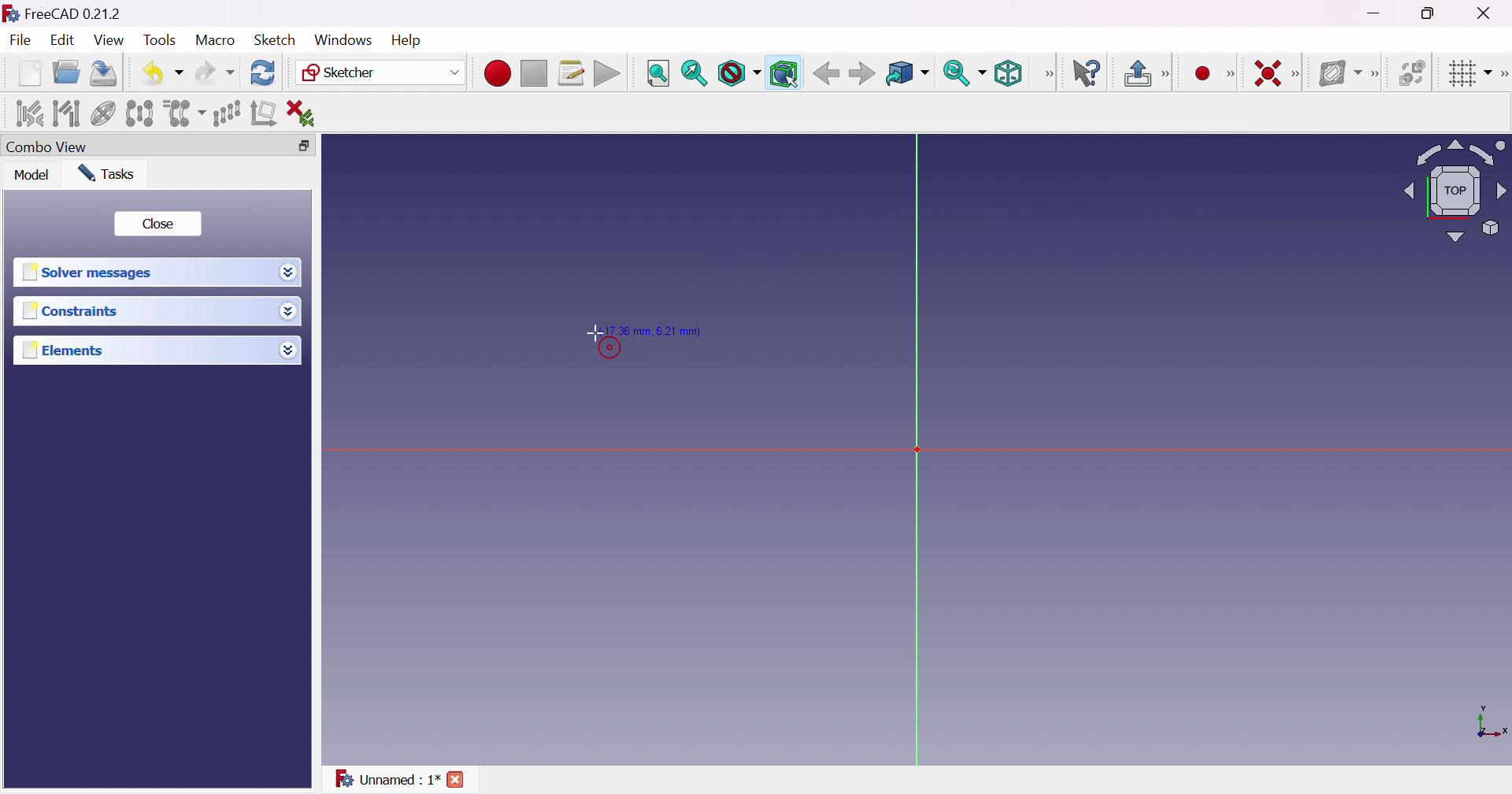 This screenshot has width=1512, height=794. I want to click on [Sketcher edit tools], so click(1503, 72).